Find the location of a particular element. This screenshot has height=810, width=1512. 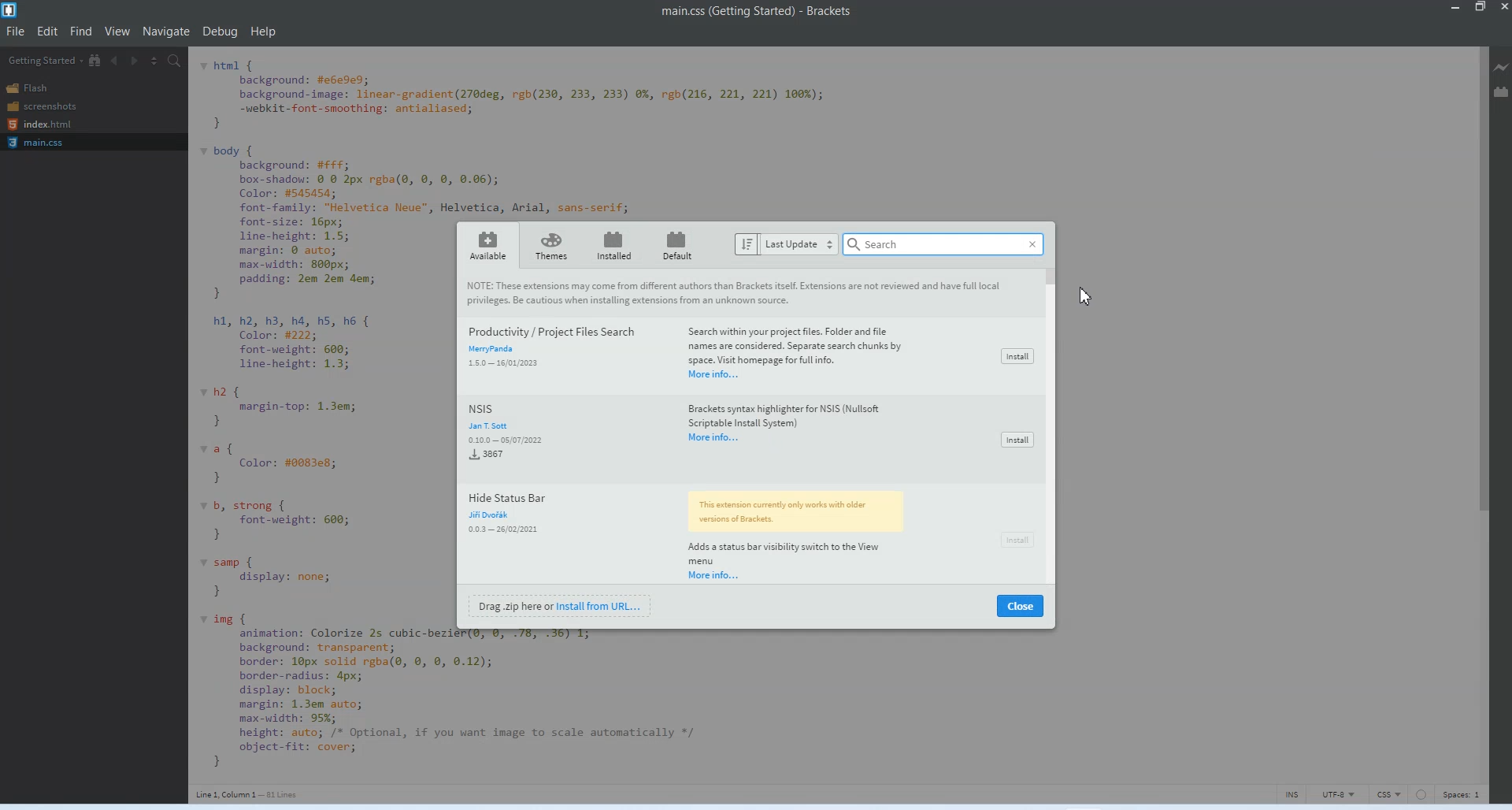

Flash is located at coordinates (34, 87).